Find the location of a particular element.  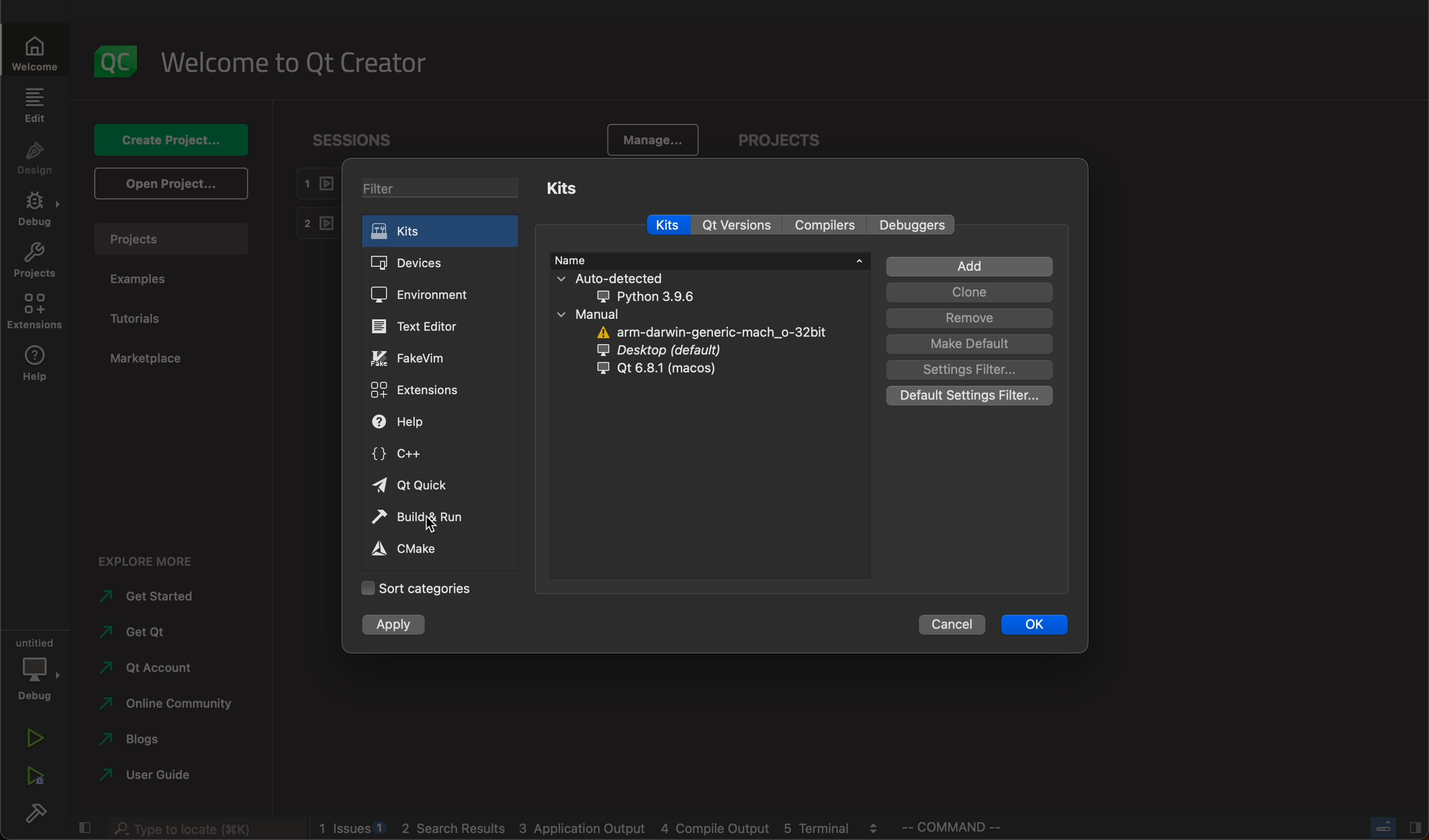

cancel is located at coordinates (951, 625).